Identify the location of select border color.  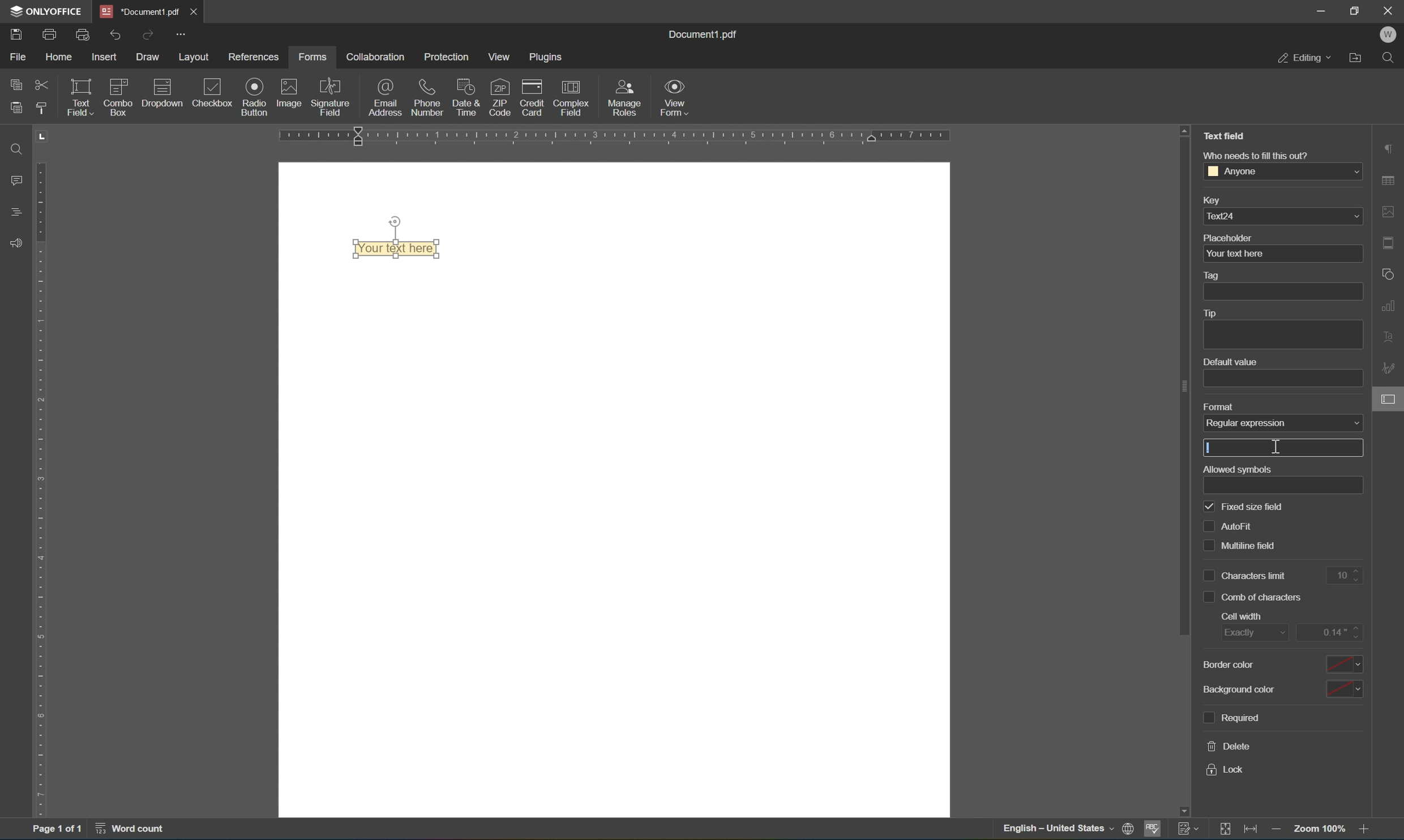
(1342, 663).